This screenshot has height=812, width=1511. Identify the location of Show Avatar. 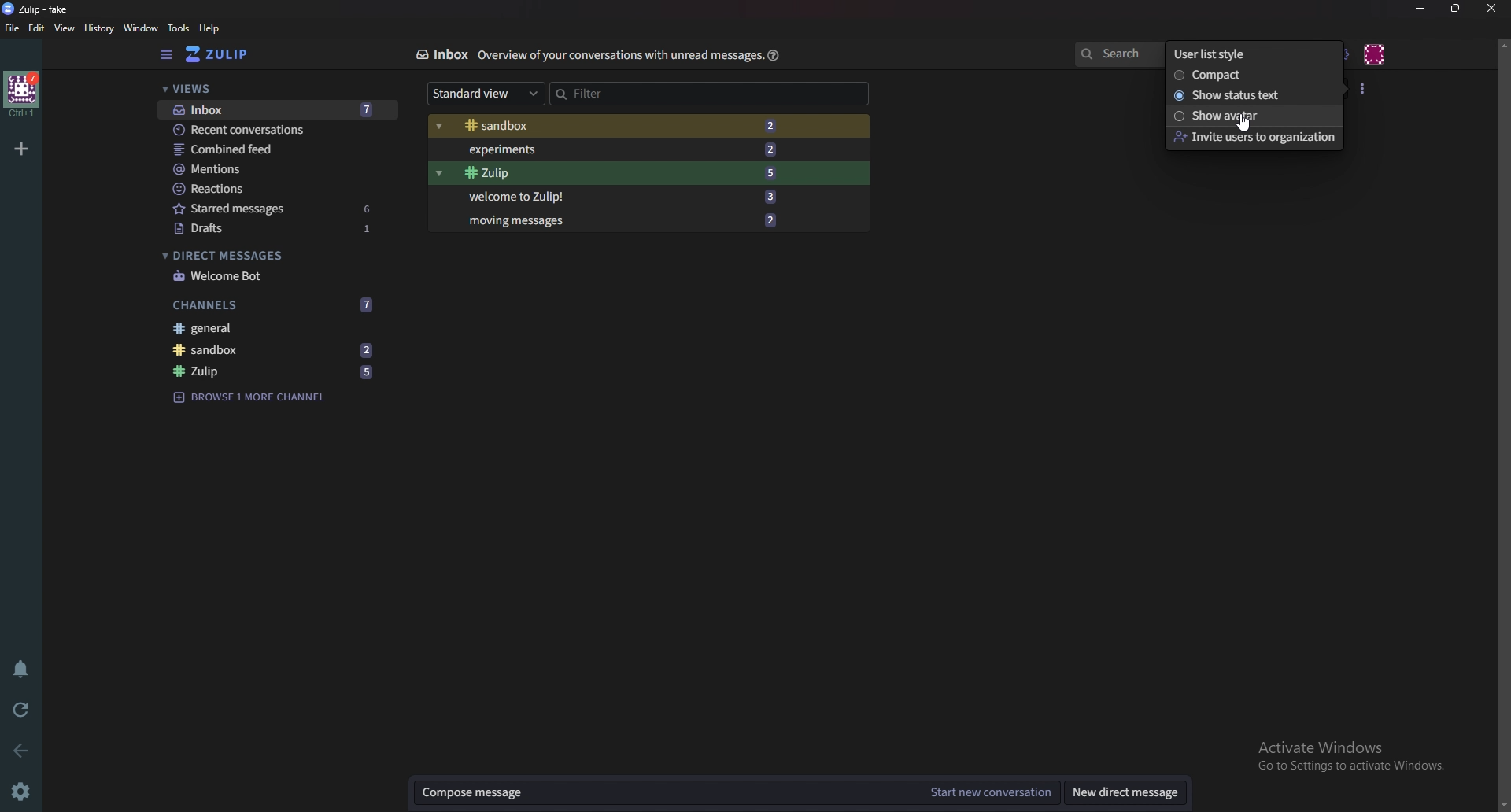
(1251, 116).